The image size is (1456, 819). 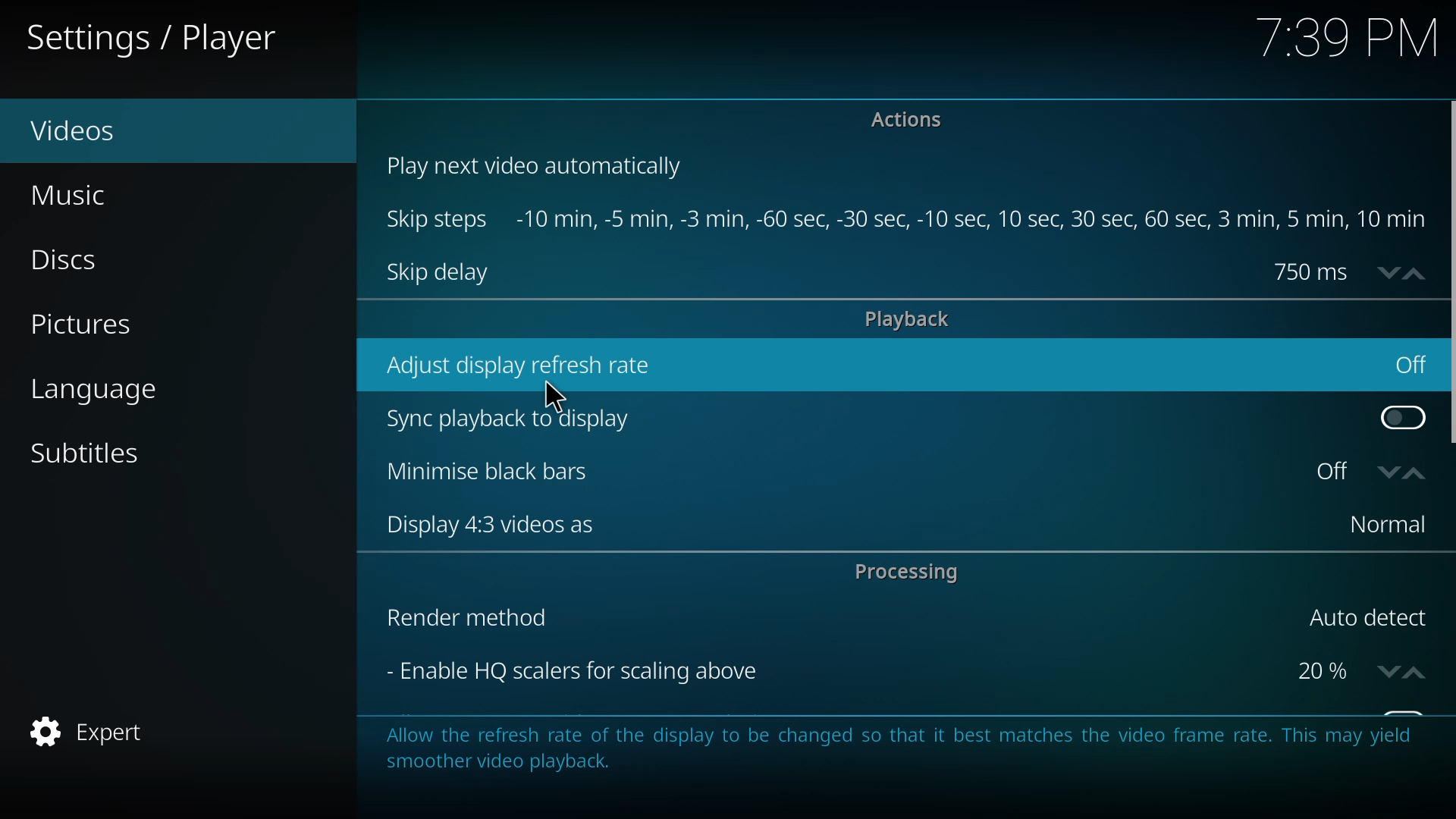 What do you see at coordinates (476, 470) in the screenshot?
I see `minimise black bars` at bounding box center [476, 470].